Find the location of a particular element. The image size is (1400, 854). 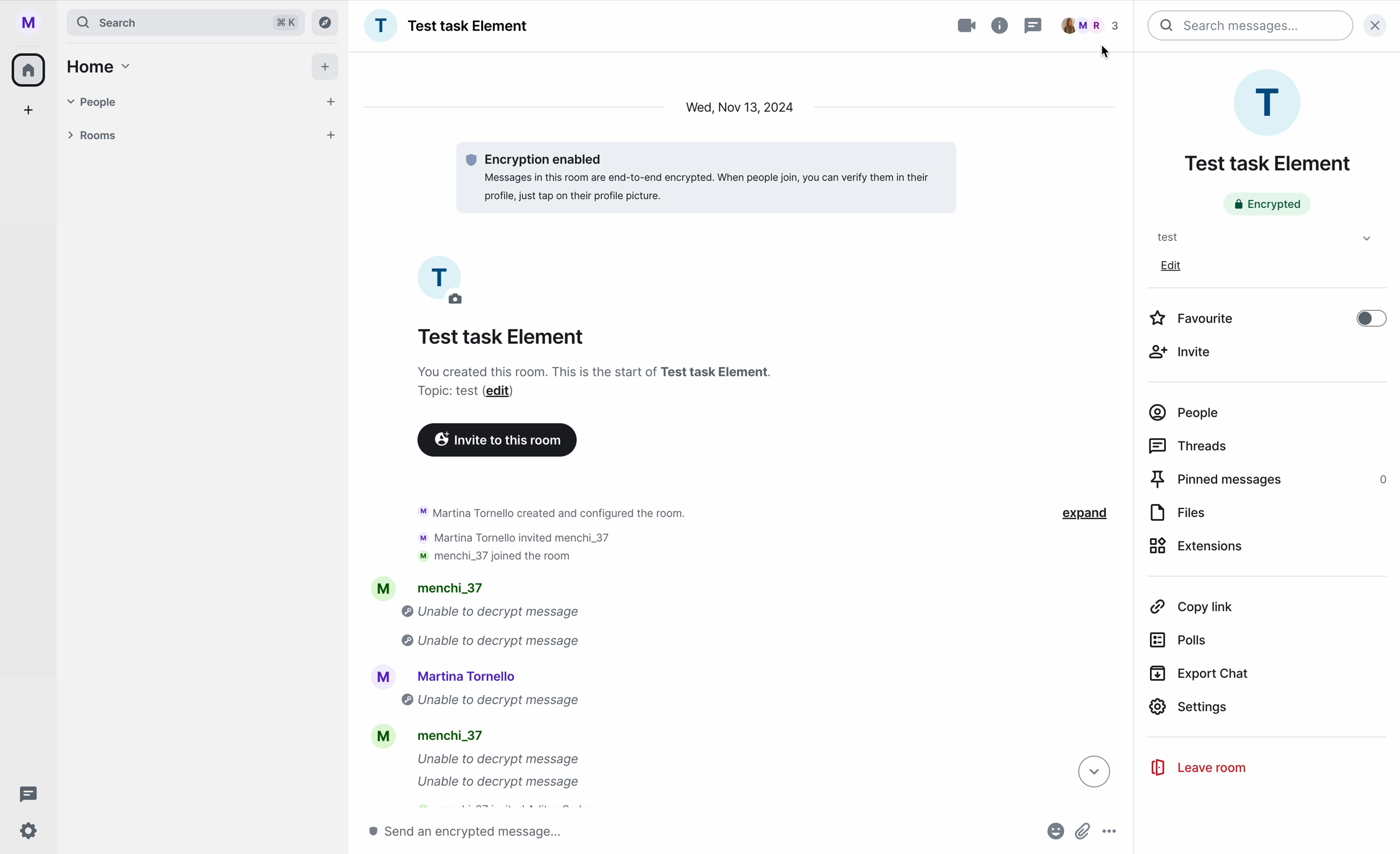

search bar is located at coordinates (1251, 26).